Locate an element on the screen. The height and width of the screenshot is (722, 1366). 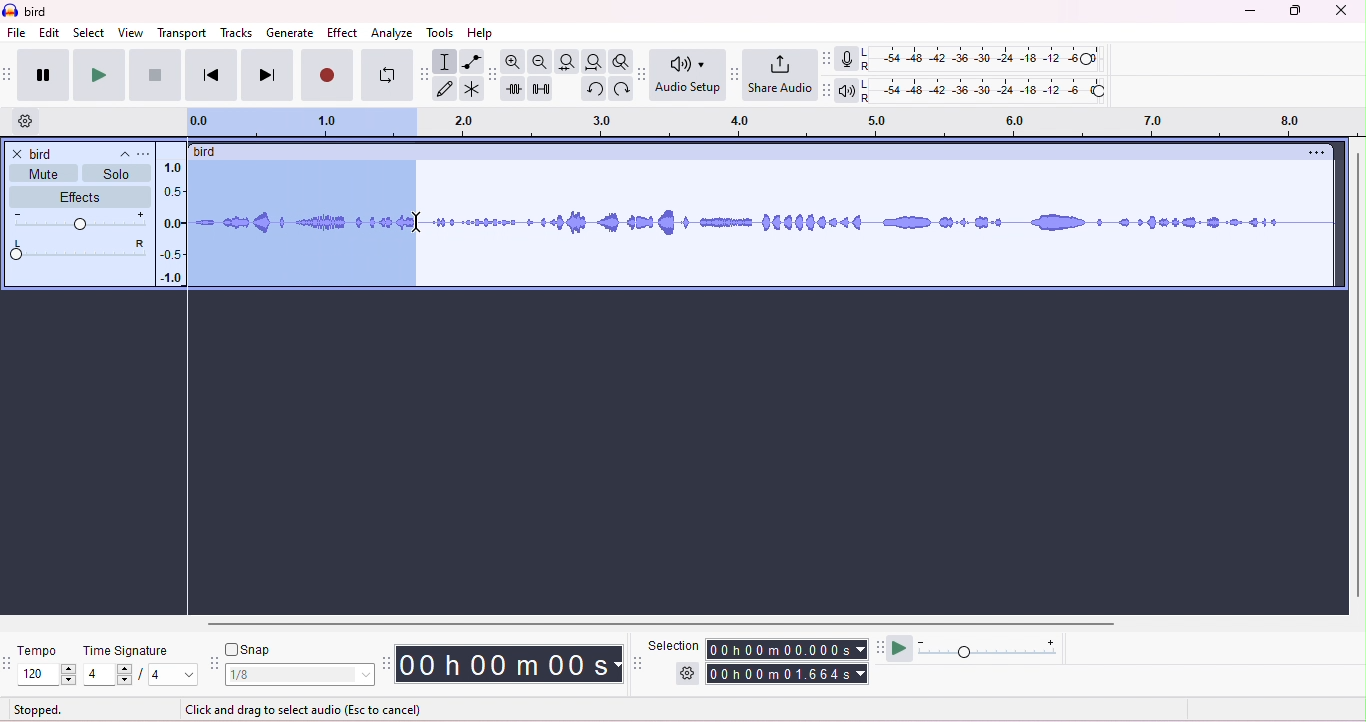
tools tool bar is located at coordinates (423, 73).